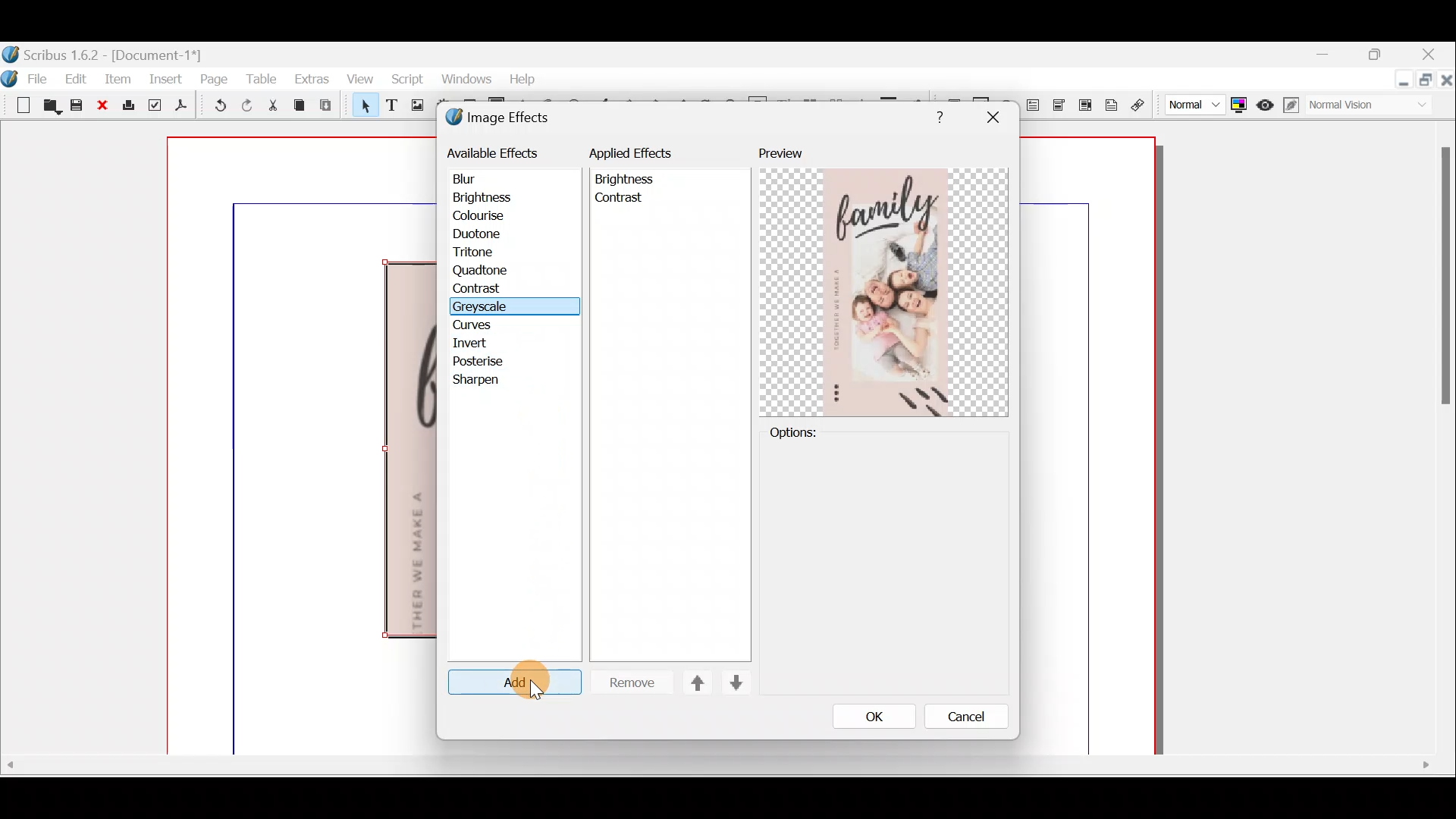  Describe the element at coordinates (40, 80) in the screenshot. I see `File` at that location.